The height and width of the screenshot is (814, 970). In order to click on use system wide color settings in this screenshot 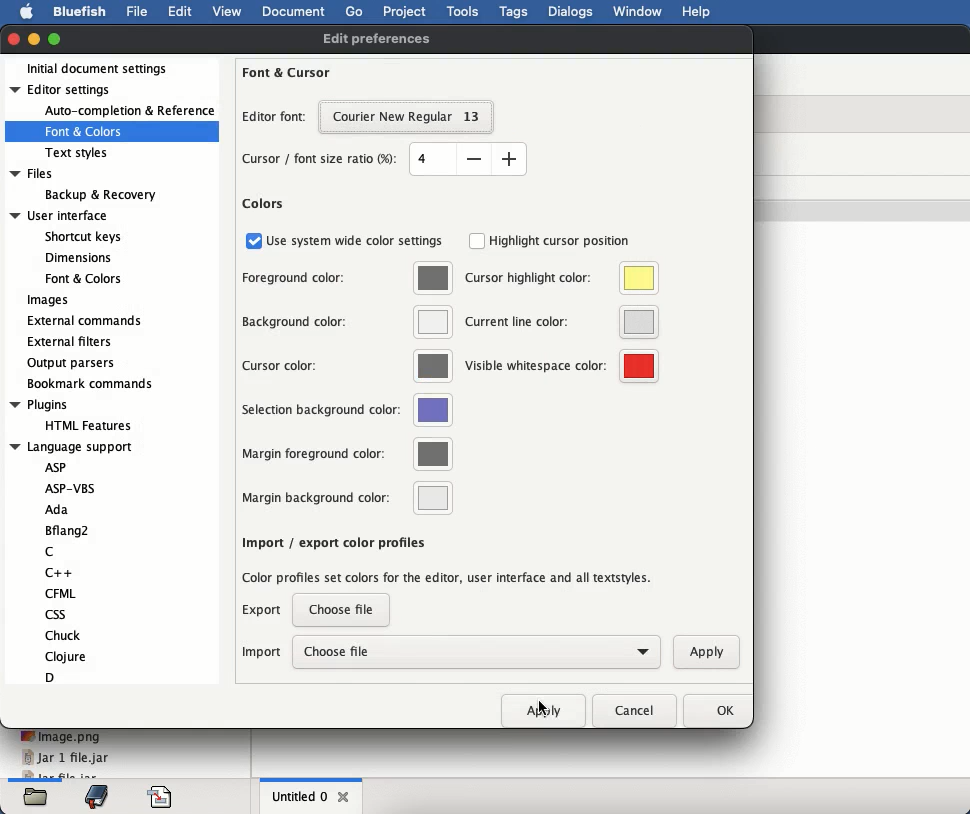, I will do `click(344, 241)`.